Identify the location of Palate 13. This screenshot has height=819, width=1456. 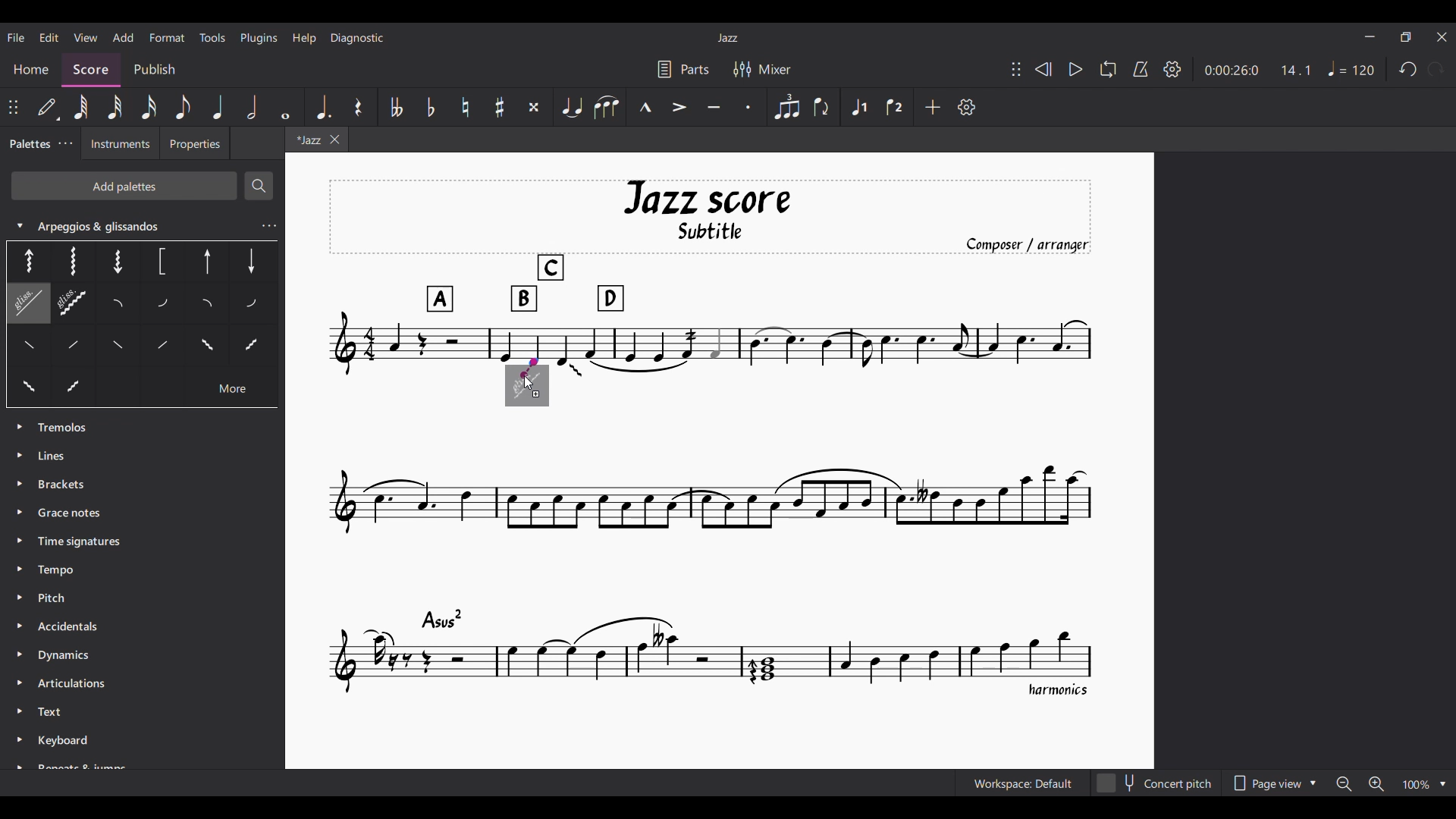
(253, 303).